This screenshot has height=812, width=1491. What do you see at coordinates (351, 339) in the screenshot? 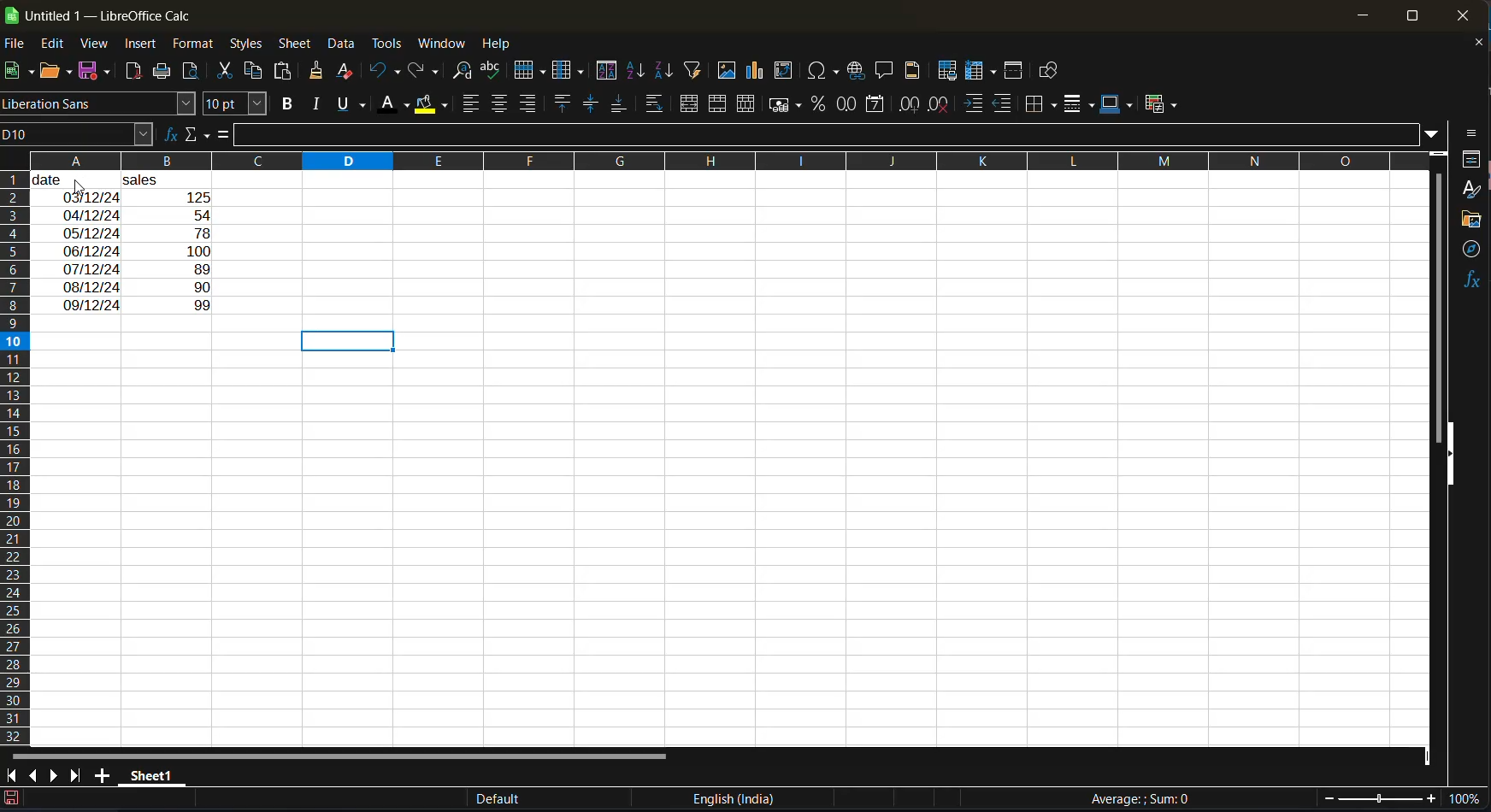
I see `selected cells` at bounding box center [351, 339].